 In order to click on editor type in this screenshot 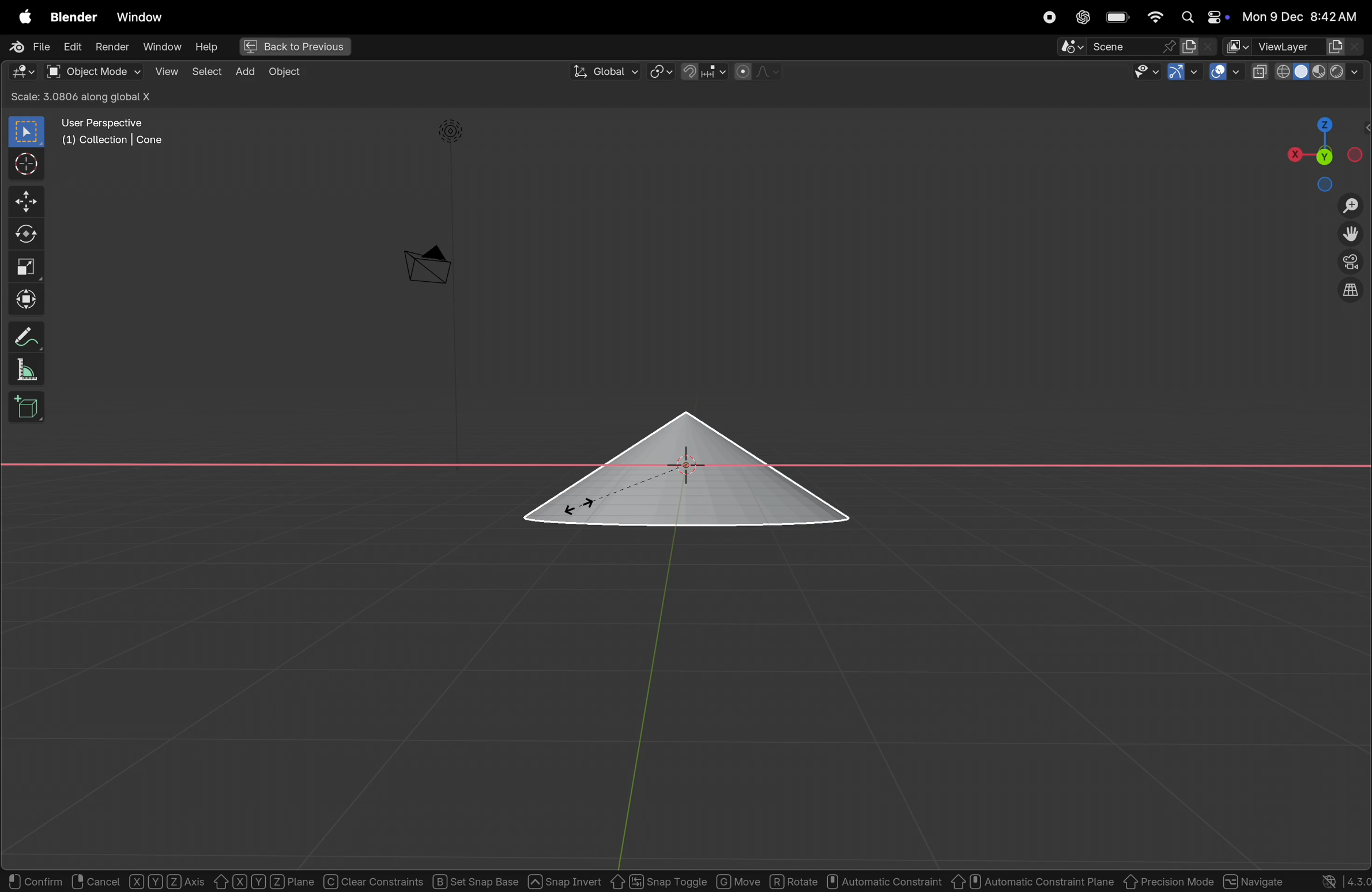, I will do `click(22, 70)`.